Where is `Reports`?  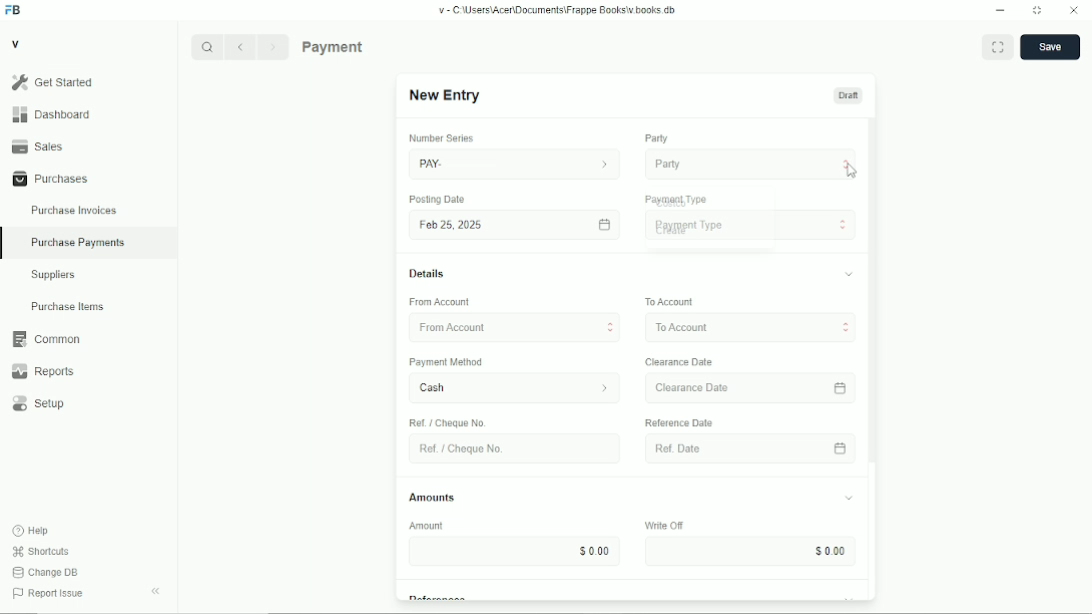 Reports is located at coordinates (89, 371).